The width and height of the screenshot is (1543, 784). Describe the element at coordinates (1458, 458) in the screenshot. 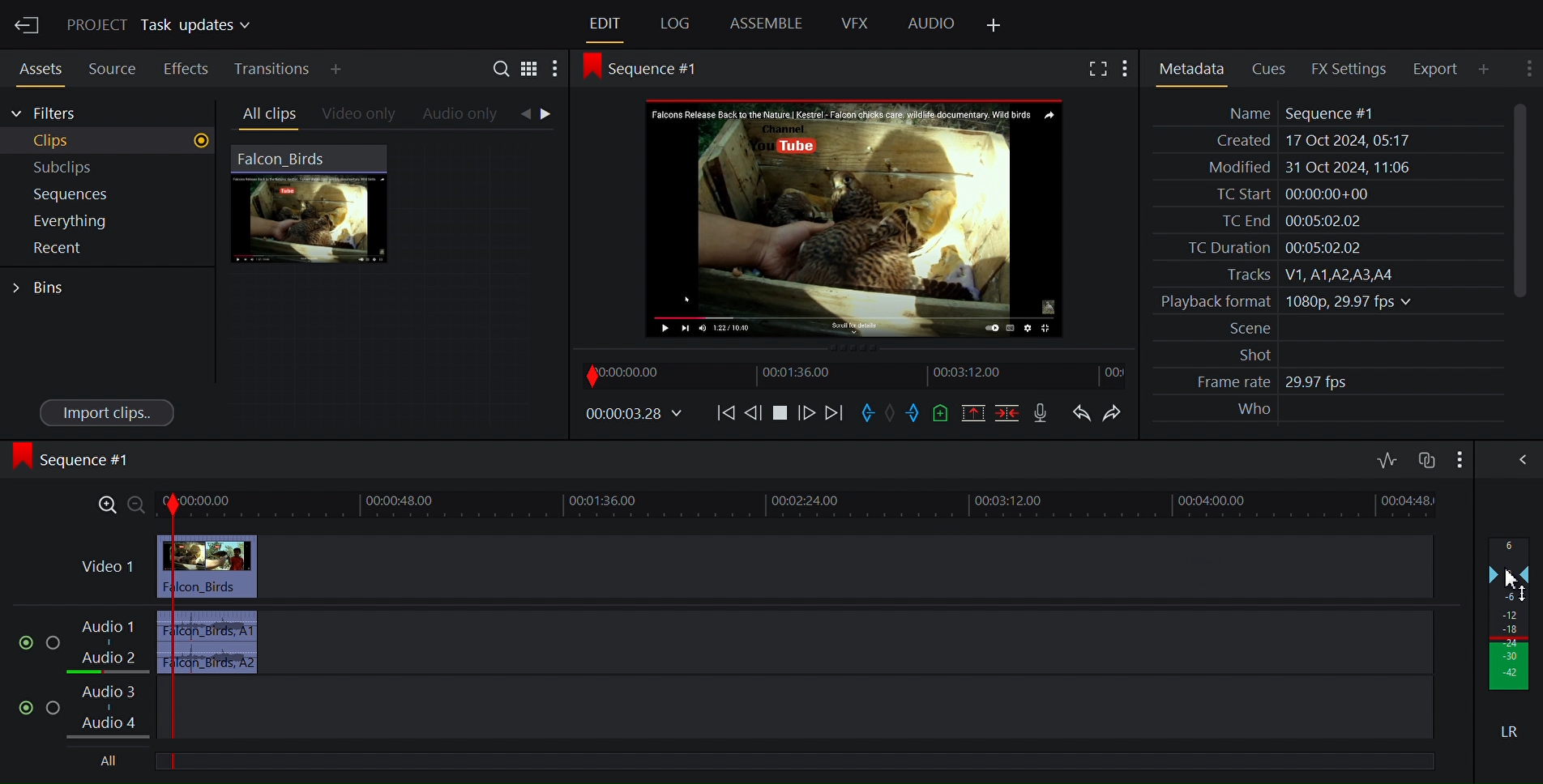

I see `Show settings menu` at that location.